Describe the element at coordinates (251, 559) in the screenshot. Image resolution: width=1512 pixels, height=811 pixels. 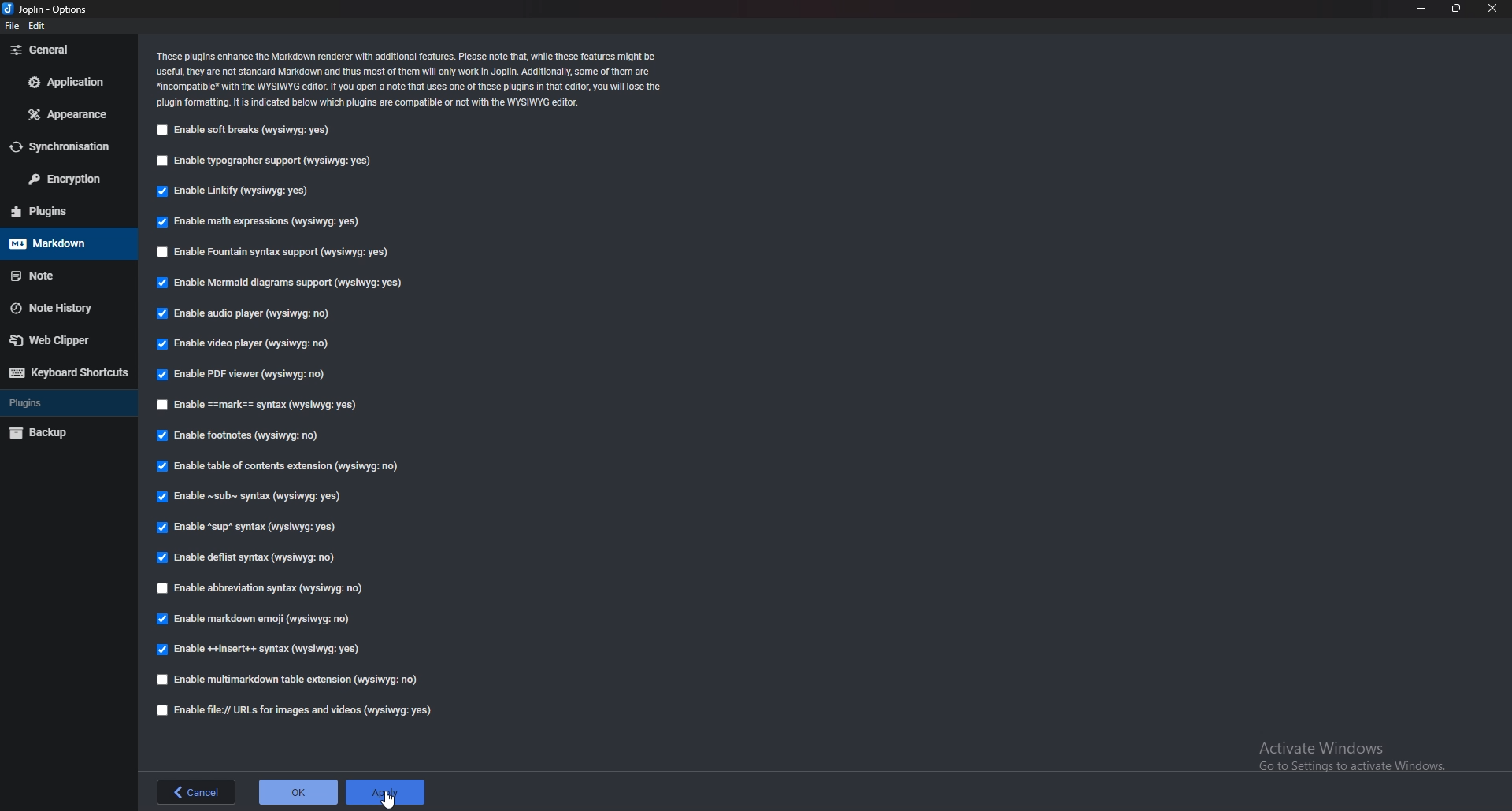
I see `enable deflist syntax` at that location.